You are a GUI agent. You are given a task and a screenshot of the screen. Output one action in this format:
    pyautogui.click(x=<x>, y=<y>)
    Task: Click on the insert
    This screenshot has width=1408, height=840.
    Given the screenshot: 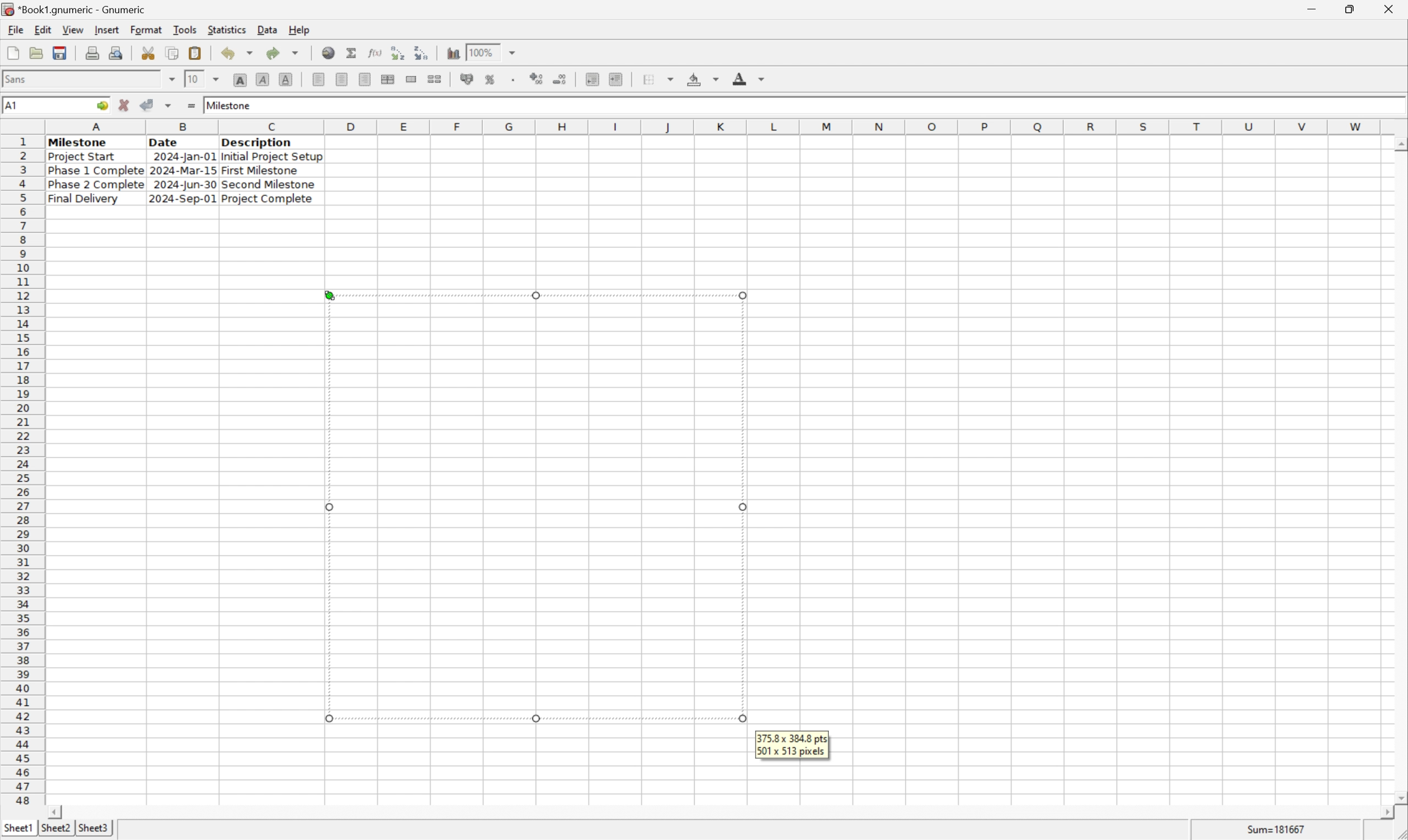 What is the action you would take?
    pyautogui.click(x=106, y=31)
    